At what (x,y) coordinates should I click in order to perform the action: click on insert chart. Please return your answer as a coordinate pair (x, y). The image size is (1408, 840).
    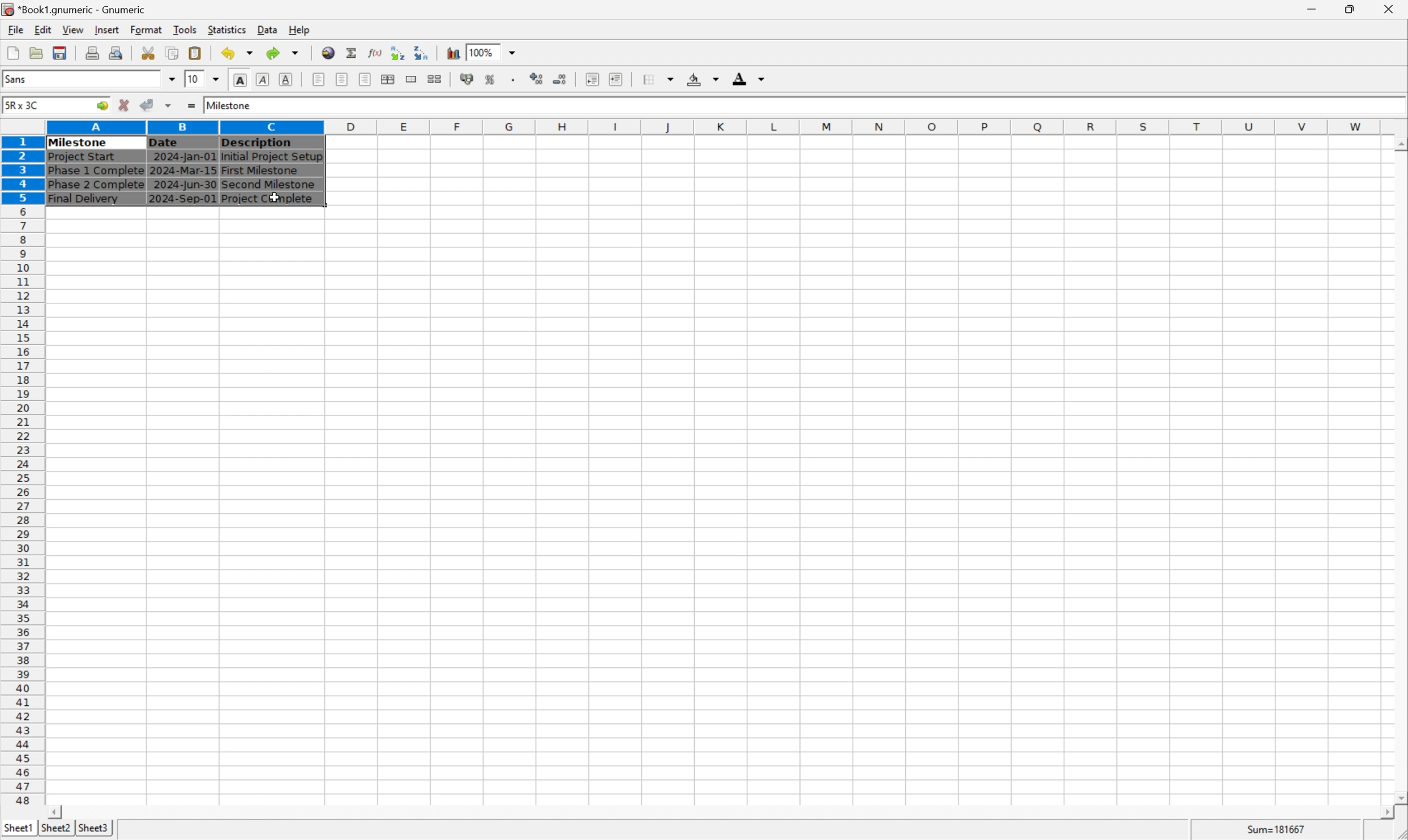
    Looking at the image, I should click on (452, 53).